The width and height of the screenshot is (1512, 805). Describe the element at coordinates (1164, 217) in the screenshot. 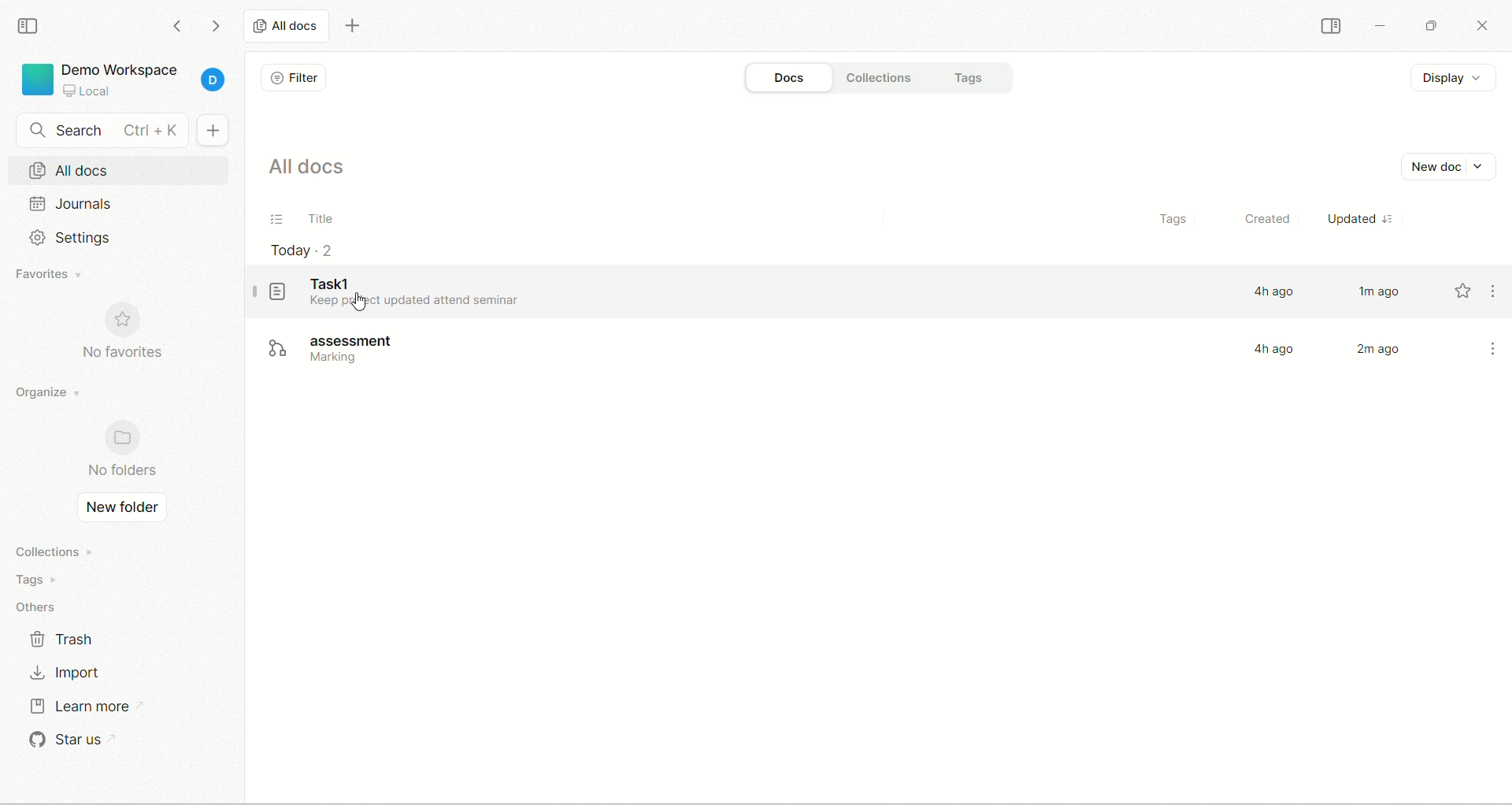

I see `tags` at that location.